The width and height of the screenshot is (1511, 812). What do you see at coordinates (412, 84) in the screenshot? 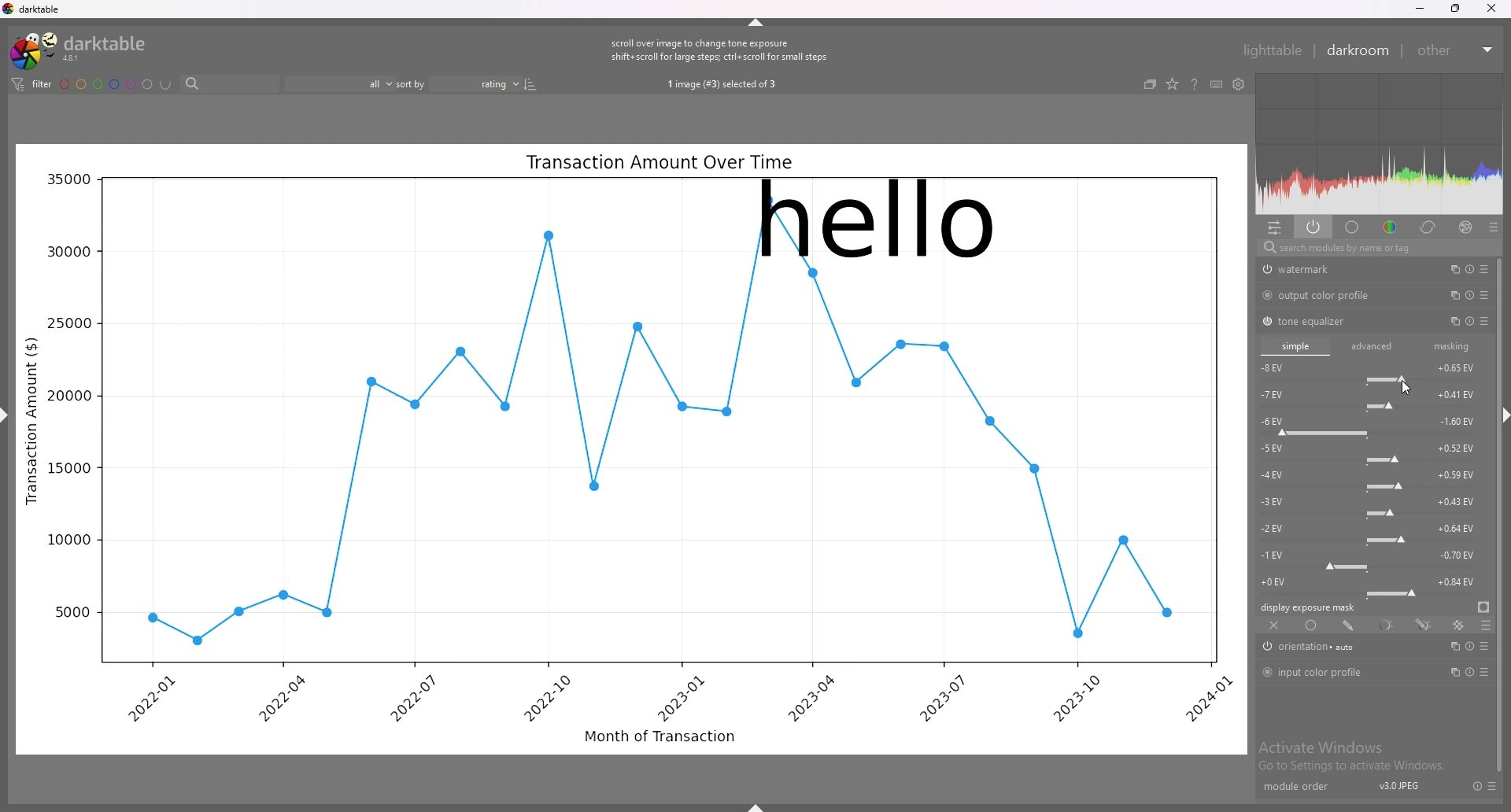
I see `sort by` at bounding box center [412, 84].